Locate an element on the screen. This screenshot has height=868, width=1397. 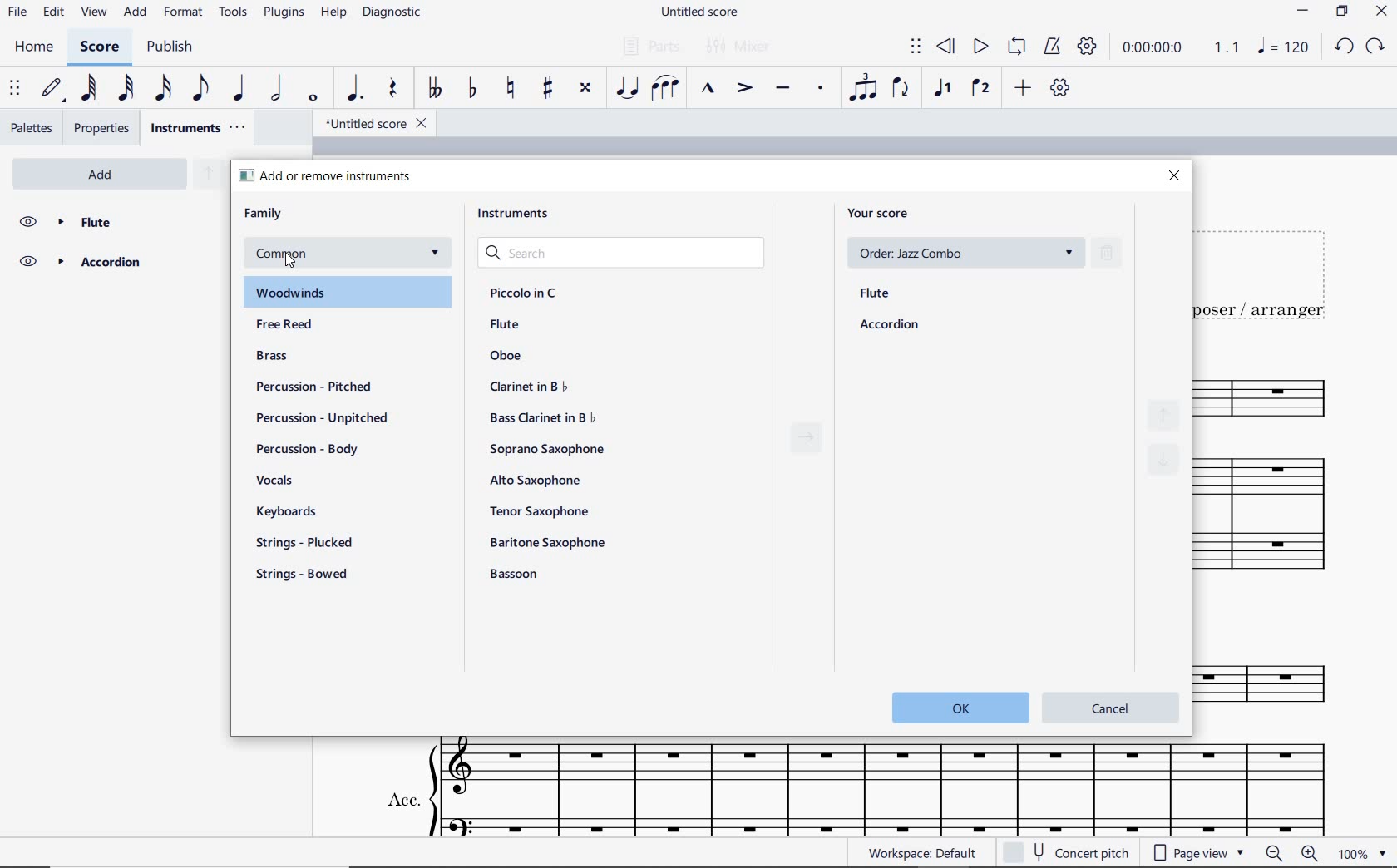
ADD is located at coordinates (136, 12).